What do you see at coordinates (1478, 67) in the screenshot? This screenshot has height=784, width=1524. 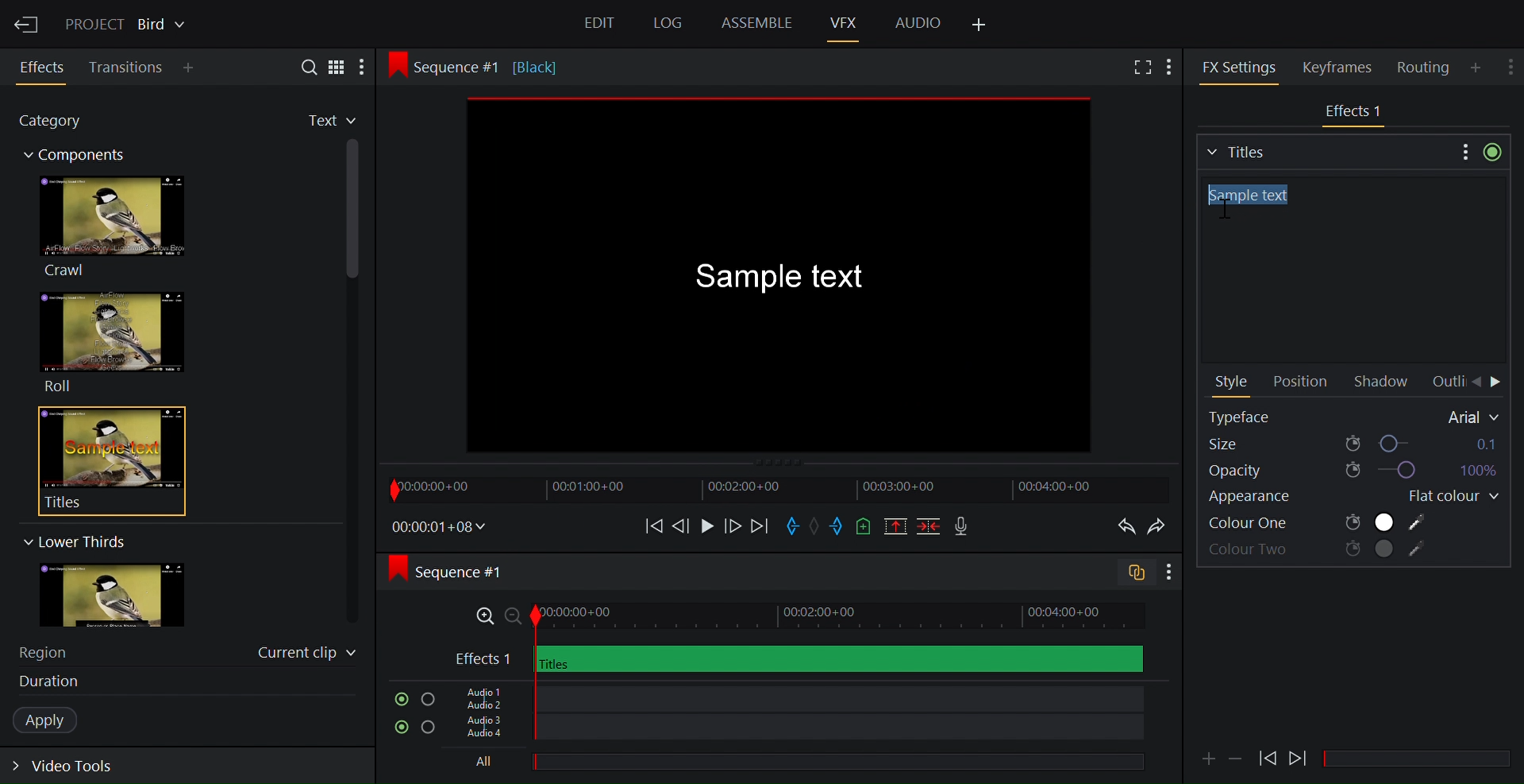 I see `Add Panel` at bounding box center [1478, 67].